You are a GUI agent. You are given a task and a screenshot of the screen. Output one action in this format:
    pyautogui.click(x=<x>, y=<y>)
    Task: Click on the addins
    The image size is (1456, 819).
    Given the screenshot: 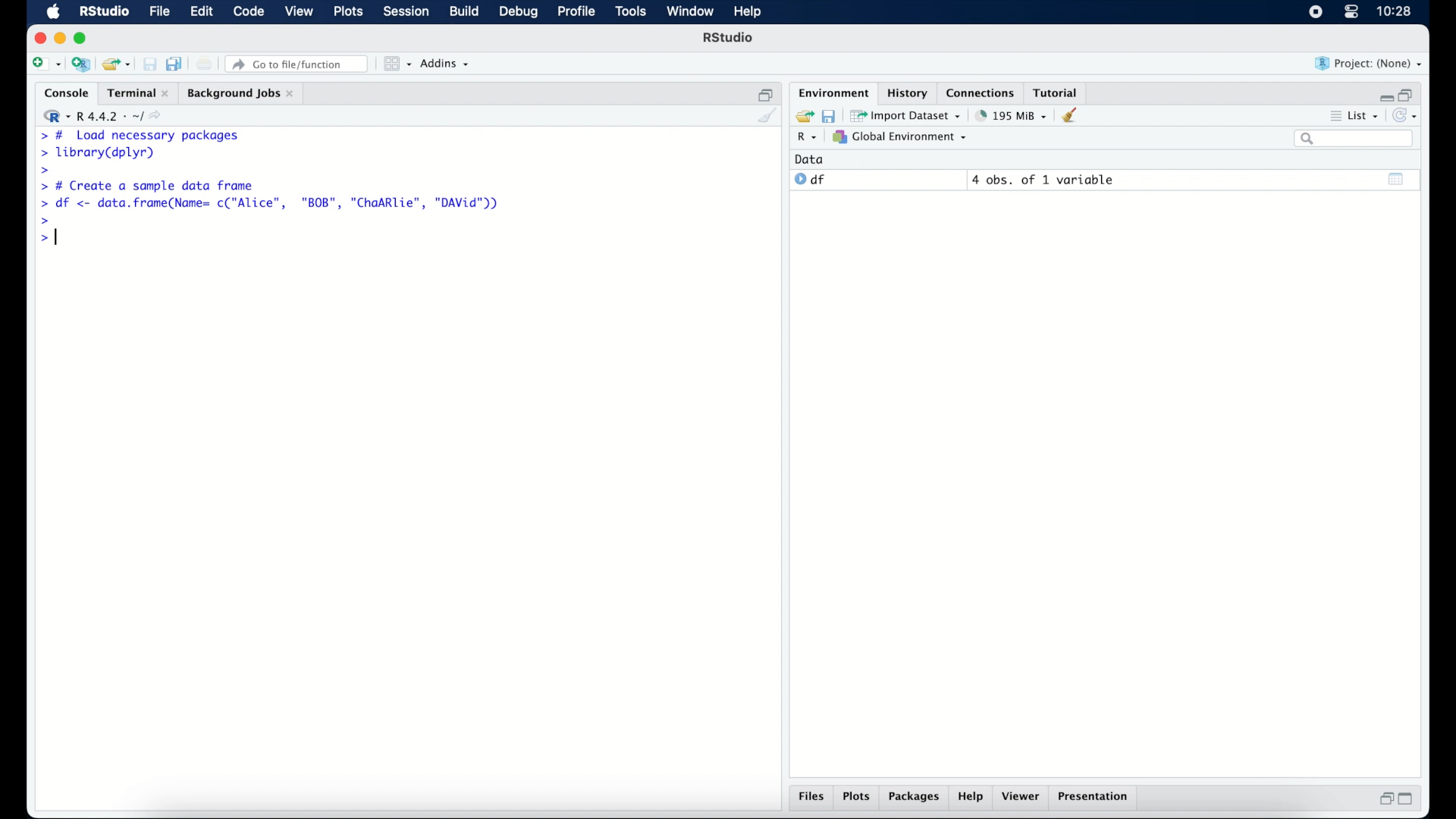 What is the action you would take?
    pyautogui.click(x=445, y=64)
    